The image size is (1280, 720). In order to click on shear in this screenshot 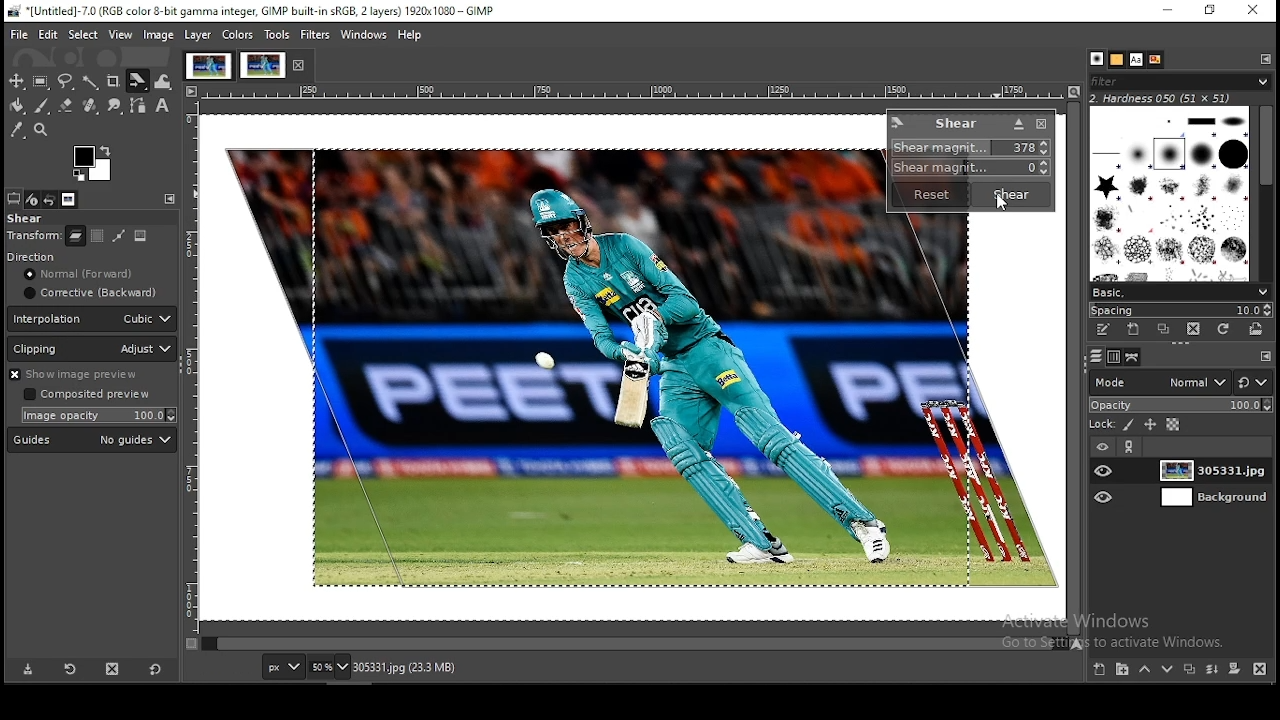, I will do `click(1008, 194)`.